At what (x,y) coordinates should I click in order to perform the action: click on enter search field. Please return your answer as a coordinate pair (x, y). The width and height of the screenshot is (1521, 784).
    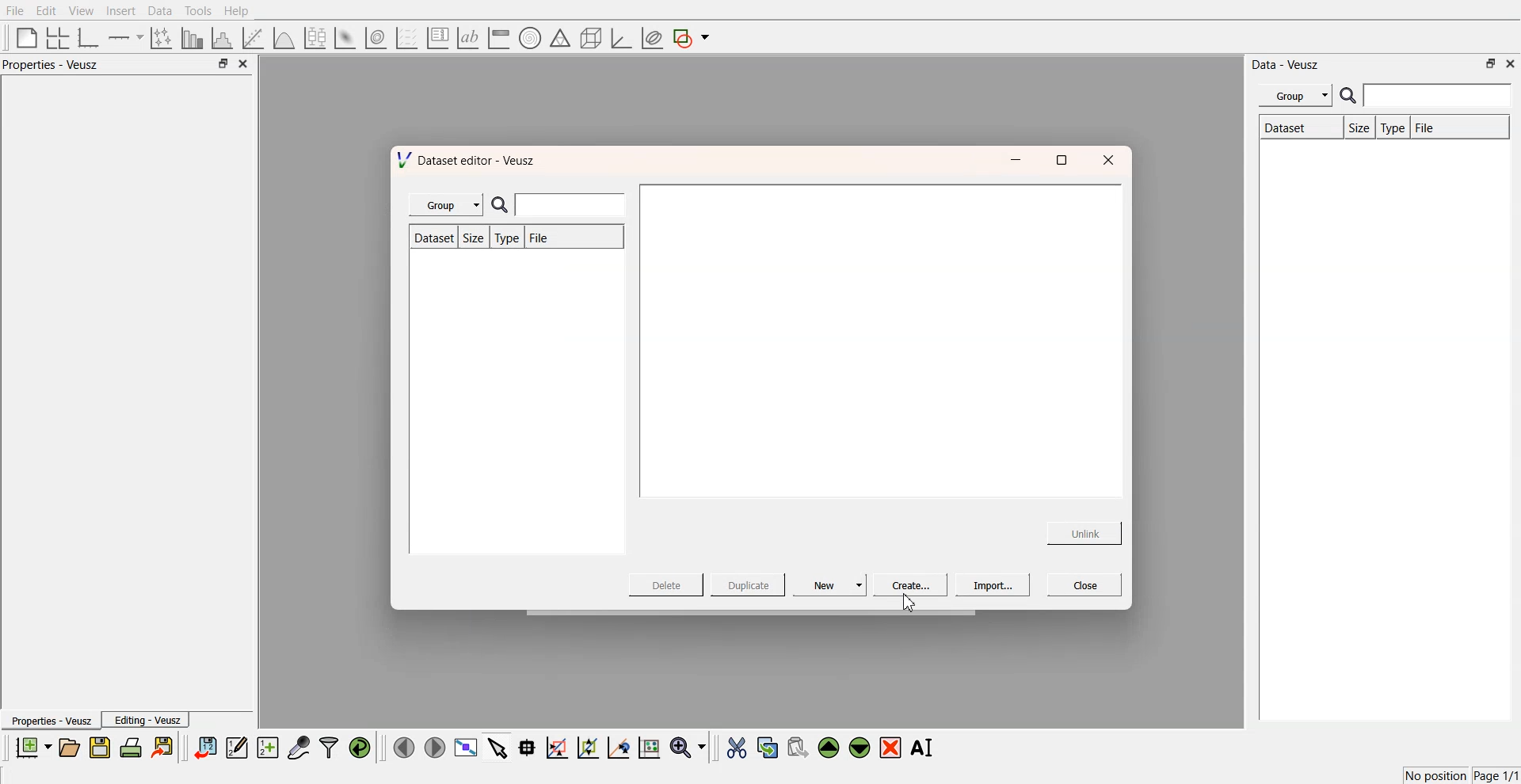
    Looking at the image, I should click on (573, 205).